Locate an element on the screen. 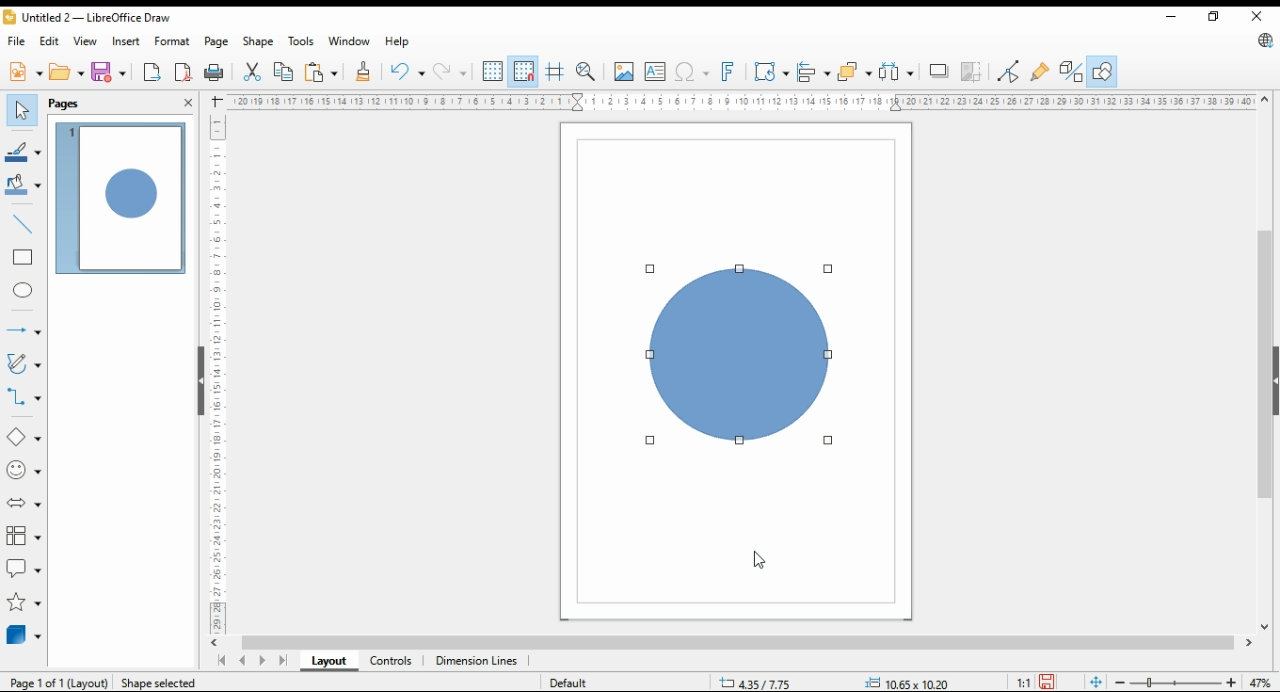  minimize is located at coordinates (1173, 18).